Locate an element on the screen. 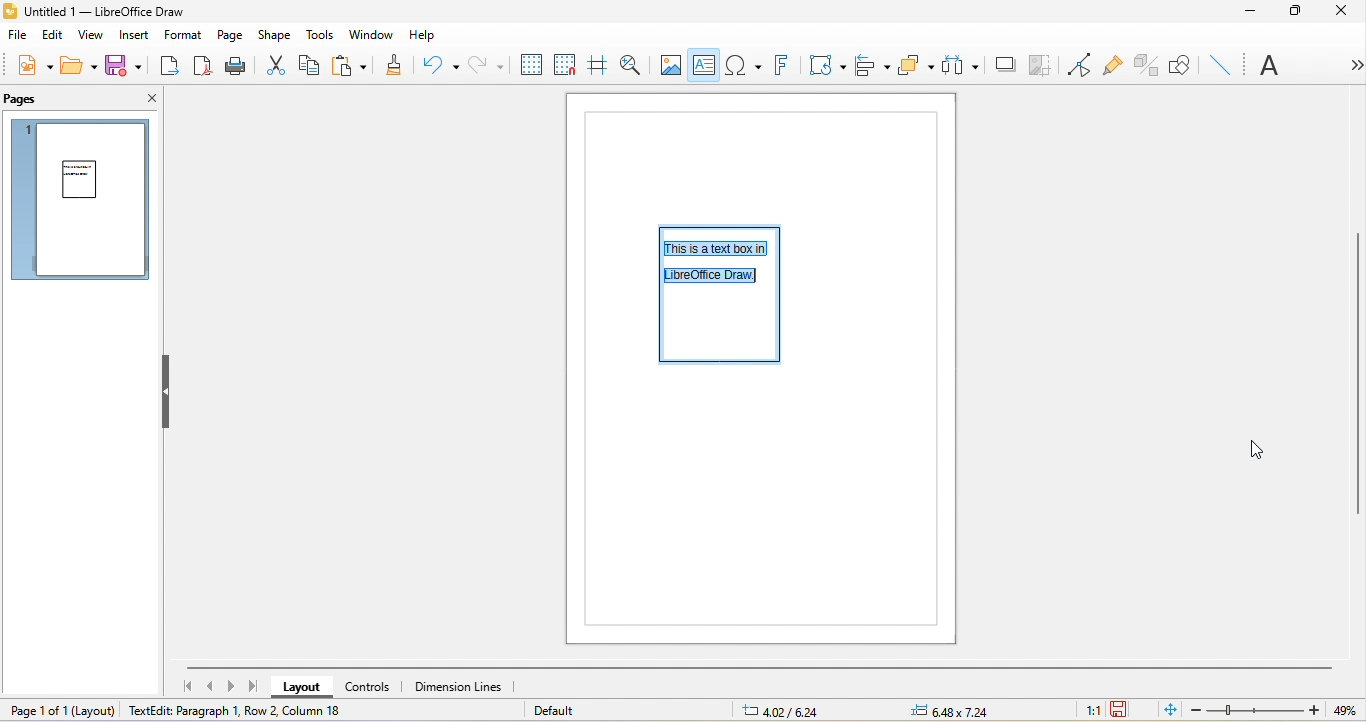 This screenshot has width=1366, height=722. first page is located at coordinates (181, 685).